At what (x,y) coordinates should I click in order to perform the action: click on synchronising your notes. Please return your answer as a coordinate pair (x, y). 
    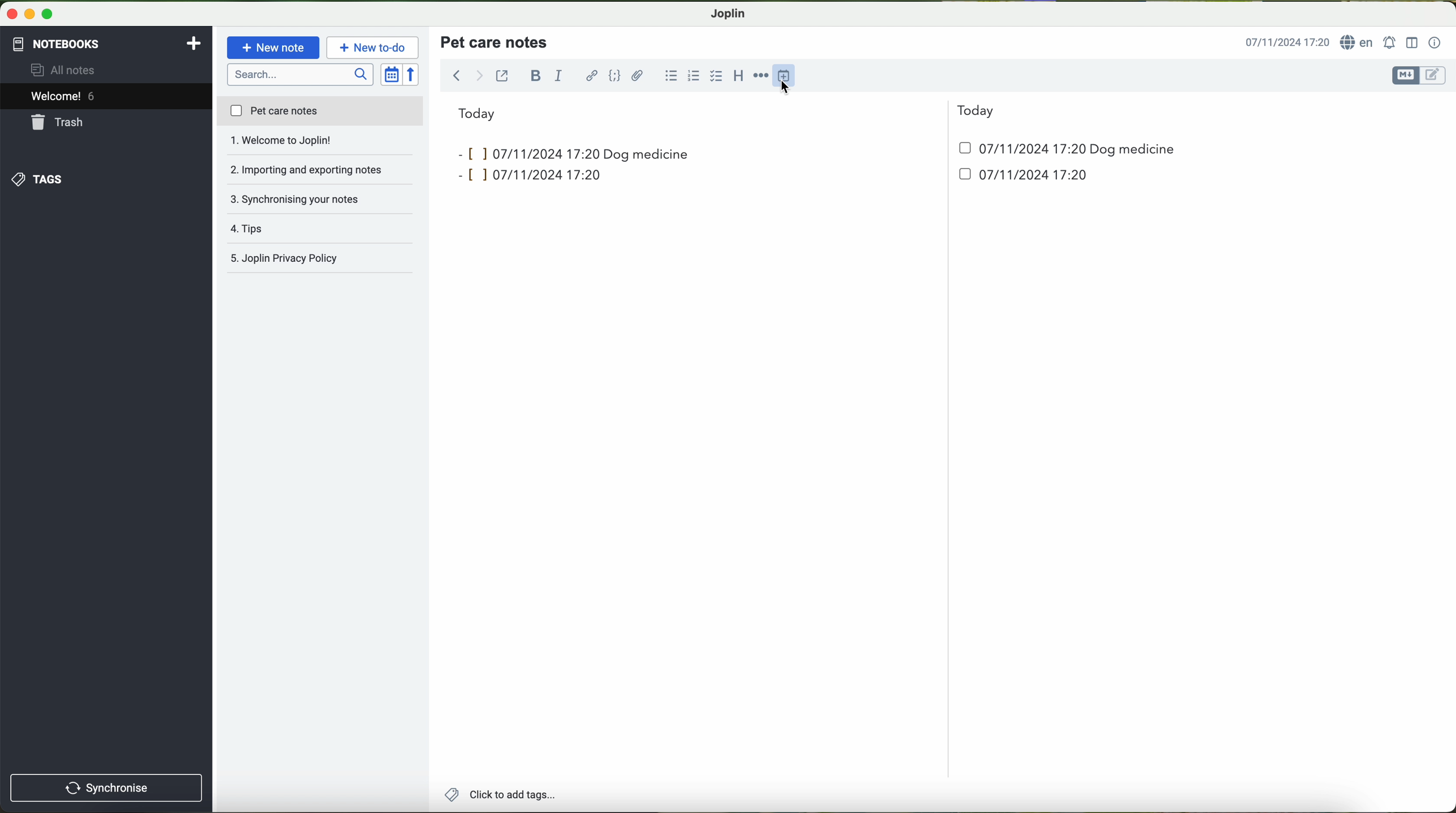
    Looking at the image, I should click on (321, 171).